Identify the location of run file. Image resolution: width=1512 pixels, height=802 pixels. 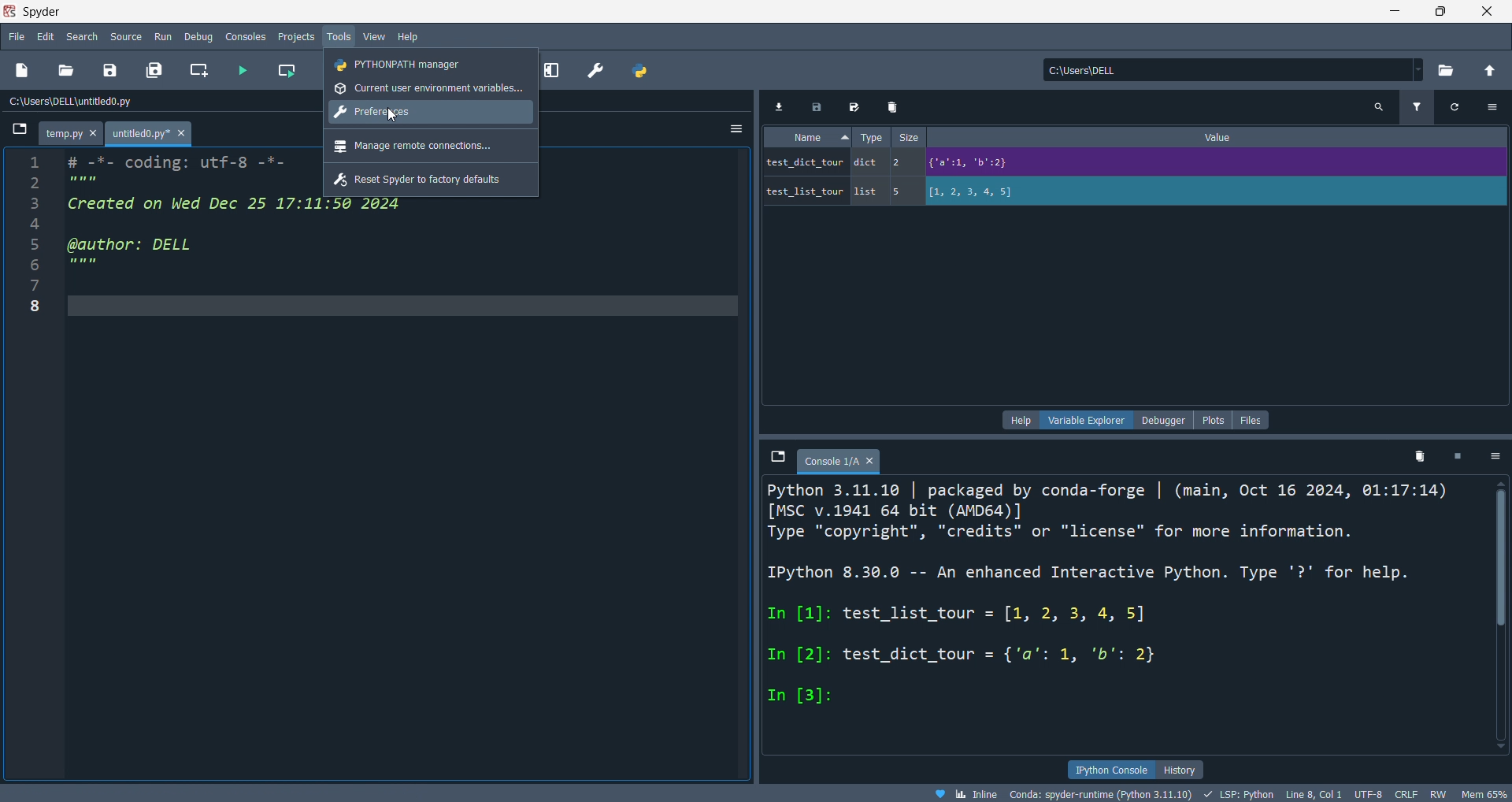
(248, 70).